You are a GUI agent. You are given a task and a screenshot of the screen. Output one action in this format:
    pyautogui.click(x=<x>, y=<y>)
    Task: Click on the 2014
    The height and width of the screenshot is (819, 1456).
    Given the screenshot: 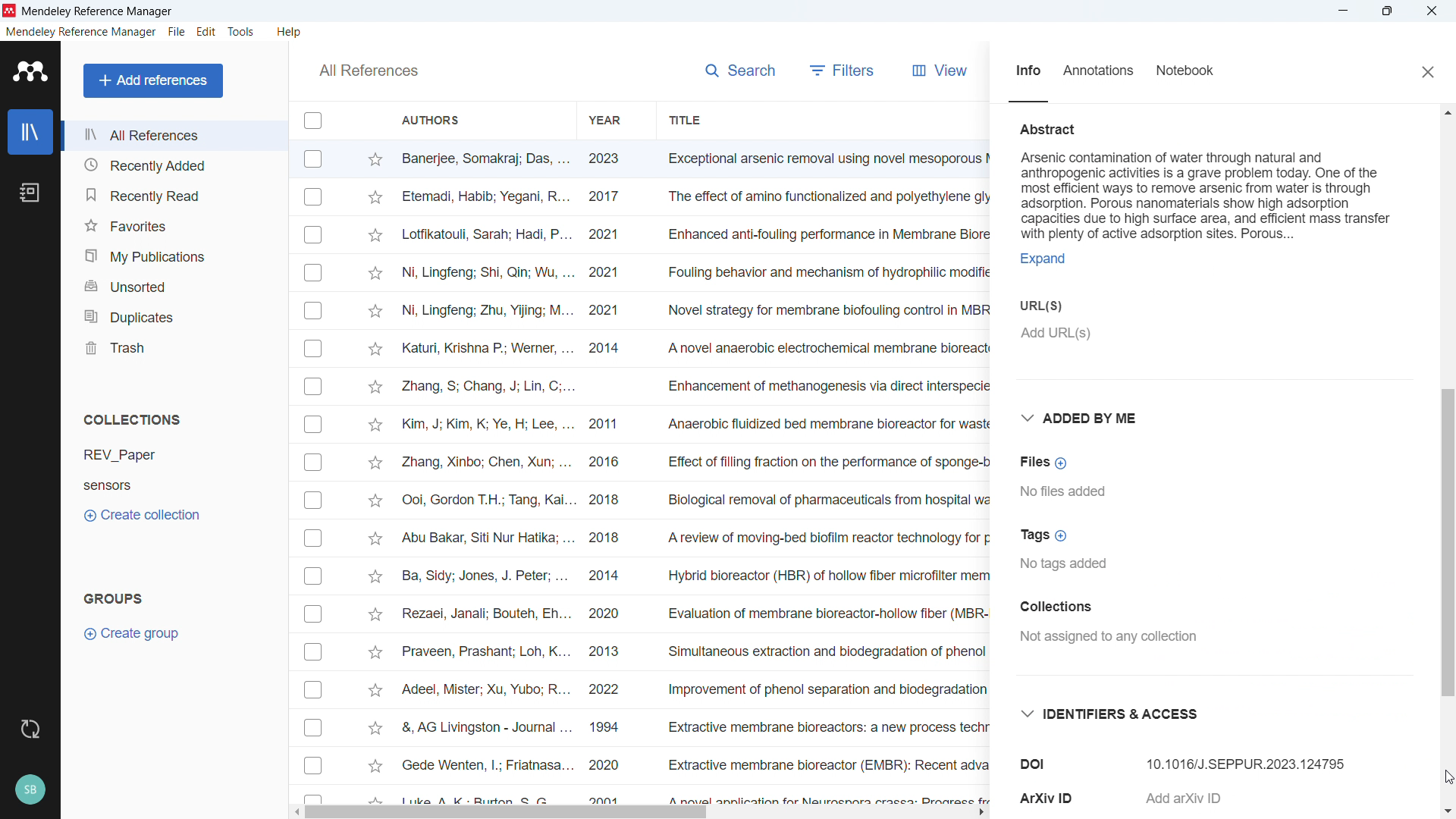 What is the action you would take?
    pyautogui.click(x=607, y=350)
    